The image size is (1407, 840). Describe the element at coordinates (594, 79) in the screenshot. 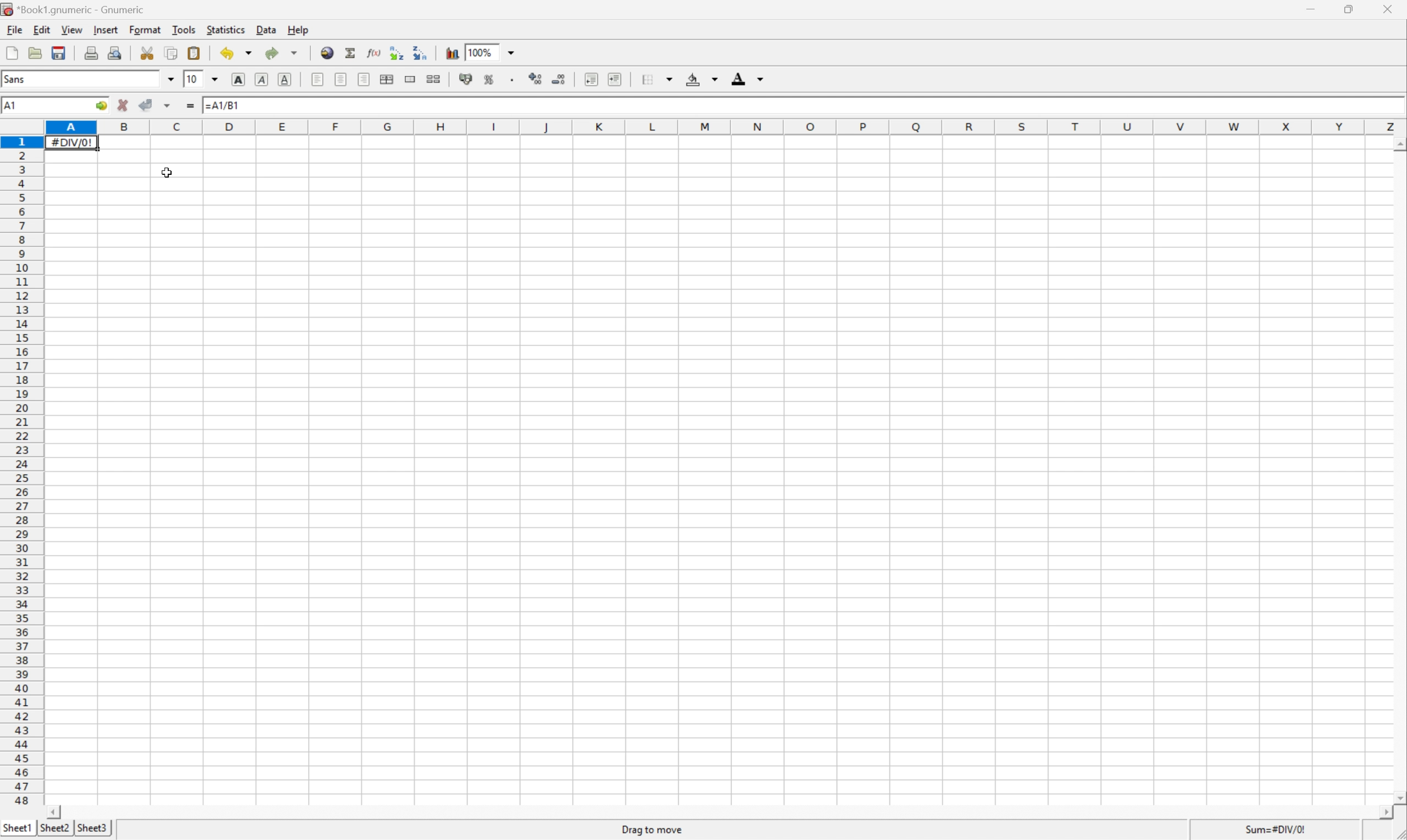

I see `Decrease the intent and align the contents to left` at that location.